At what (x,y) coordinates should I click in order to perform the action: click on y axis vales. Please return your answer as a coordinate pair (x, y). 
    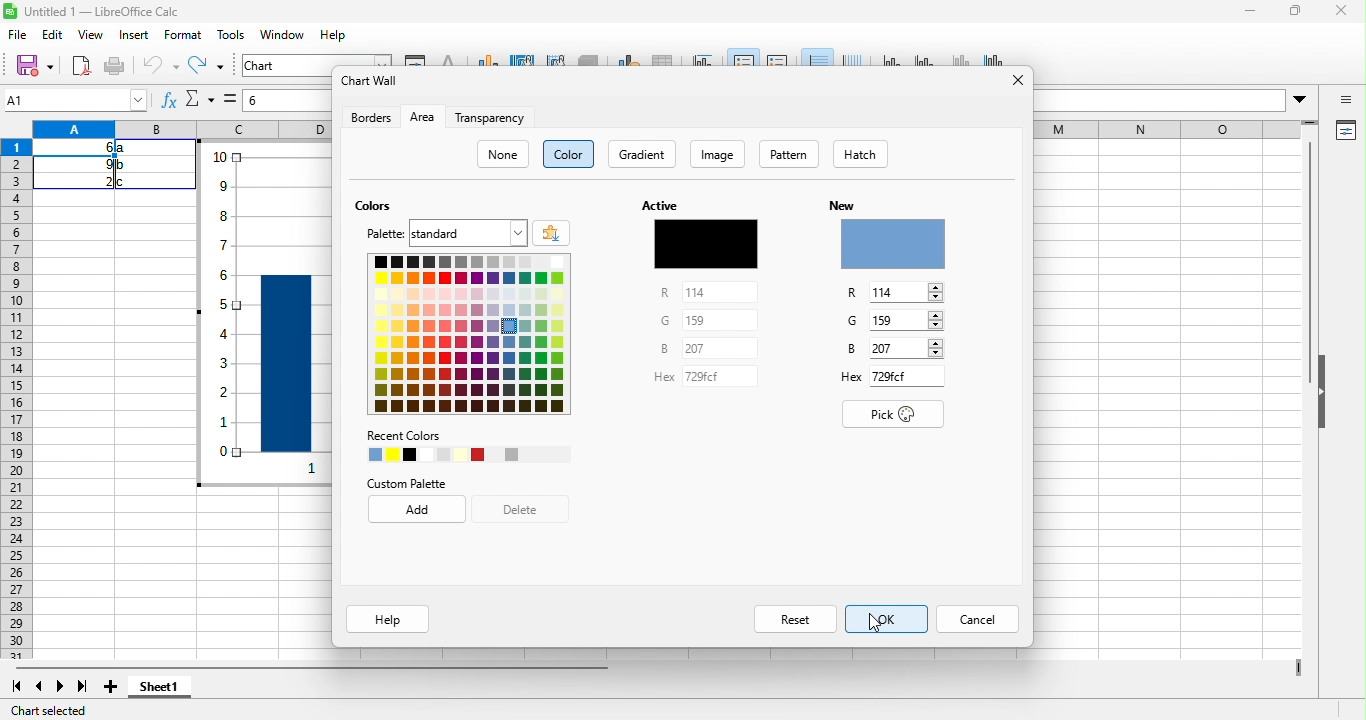
    Looking at the image, I should click on (223, 321).